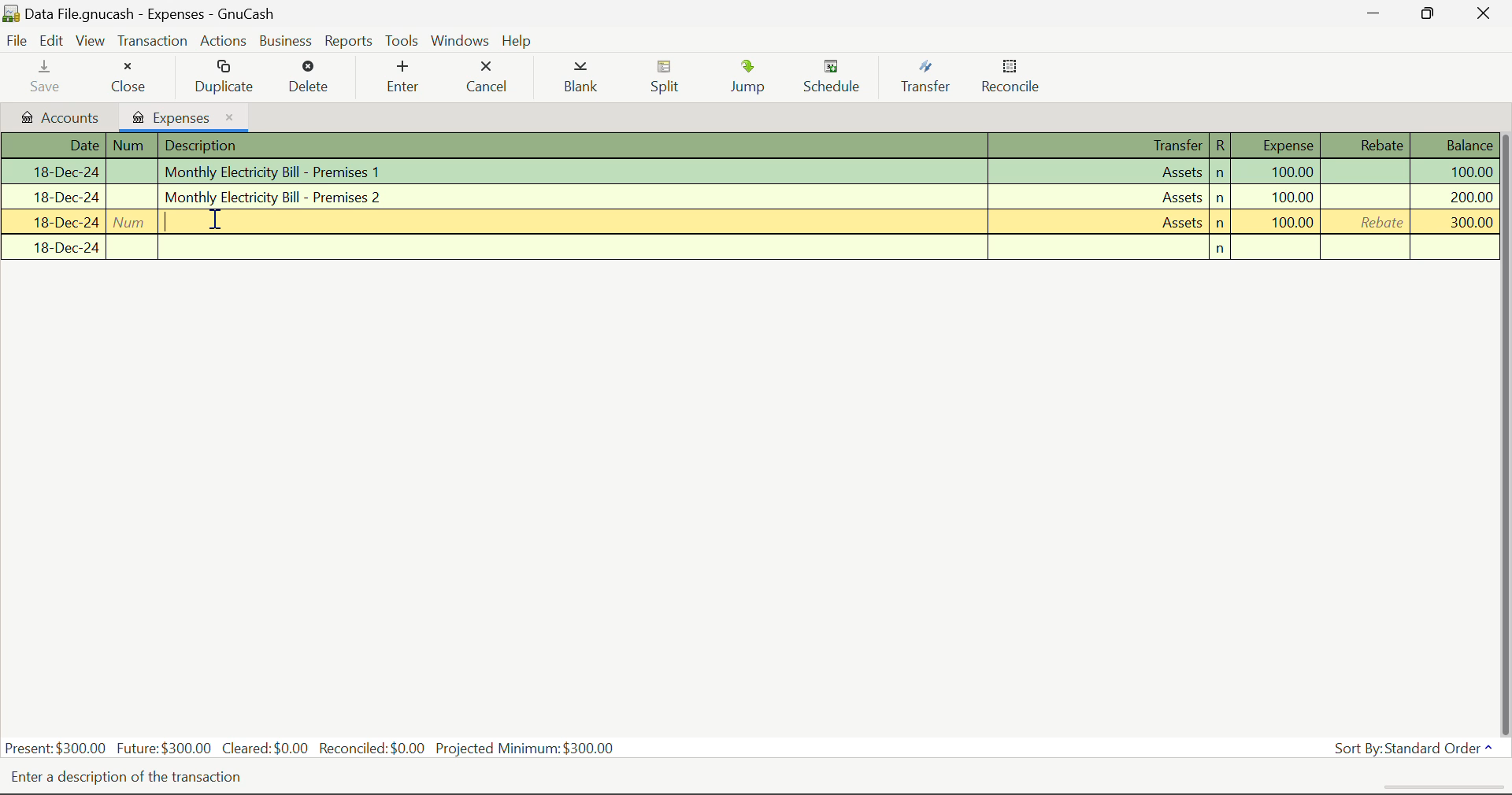 This screenshot has height=795, width=1512. I want to click on Help, so click(519, 39).